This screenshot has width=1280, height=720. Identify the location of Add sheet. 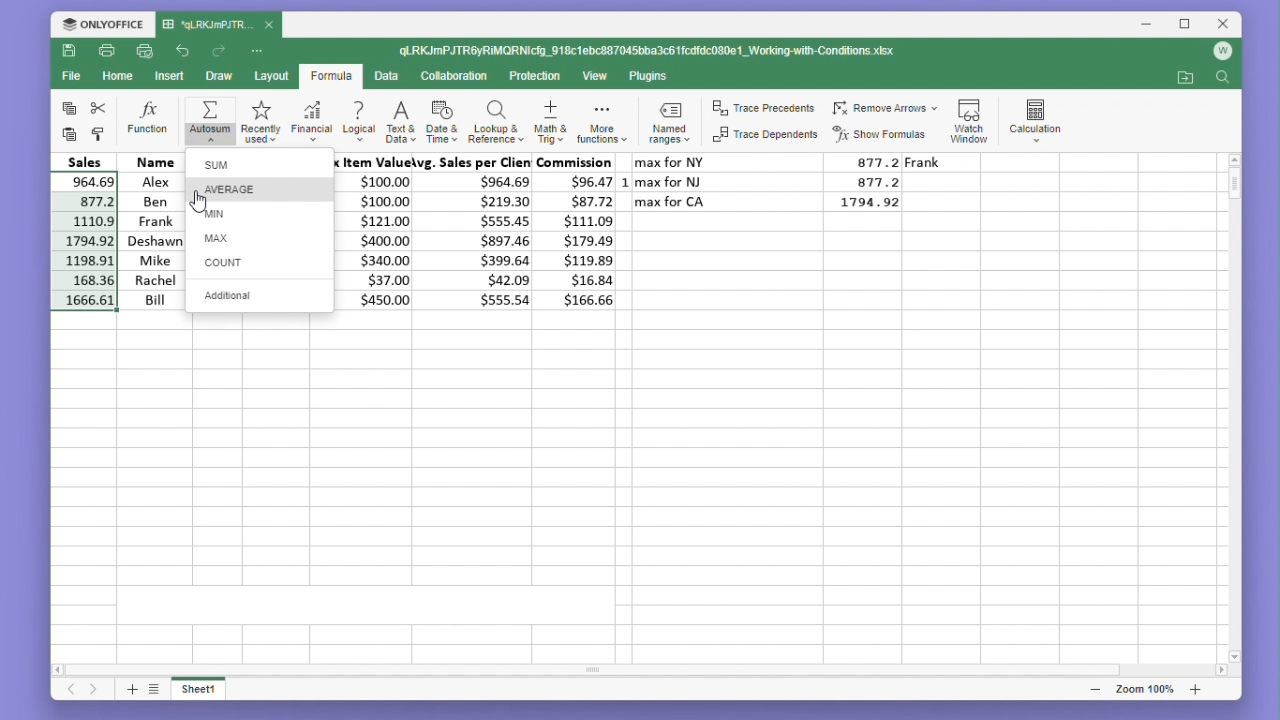
(130, 691).